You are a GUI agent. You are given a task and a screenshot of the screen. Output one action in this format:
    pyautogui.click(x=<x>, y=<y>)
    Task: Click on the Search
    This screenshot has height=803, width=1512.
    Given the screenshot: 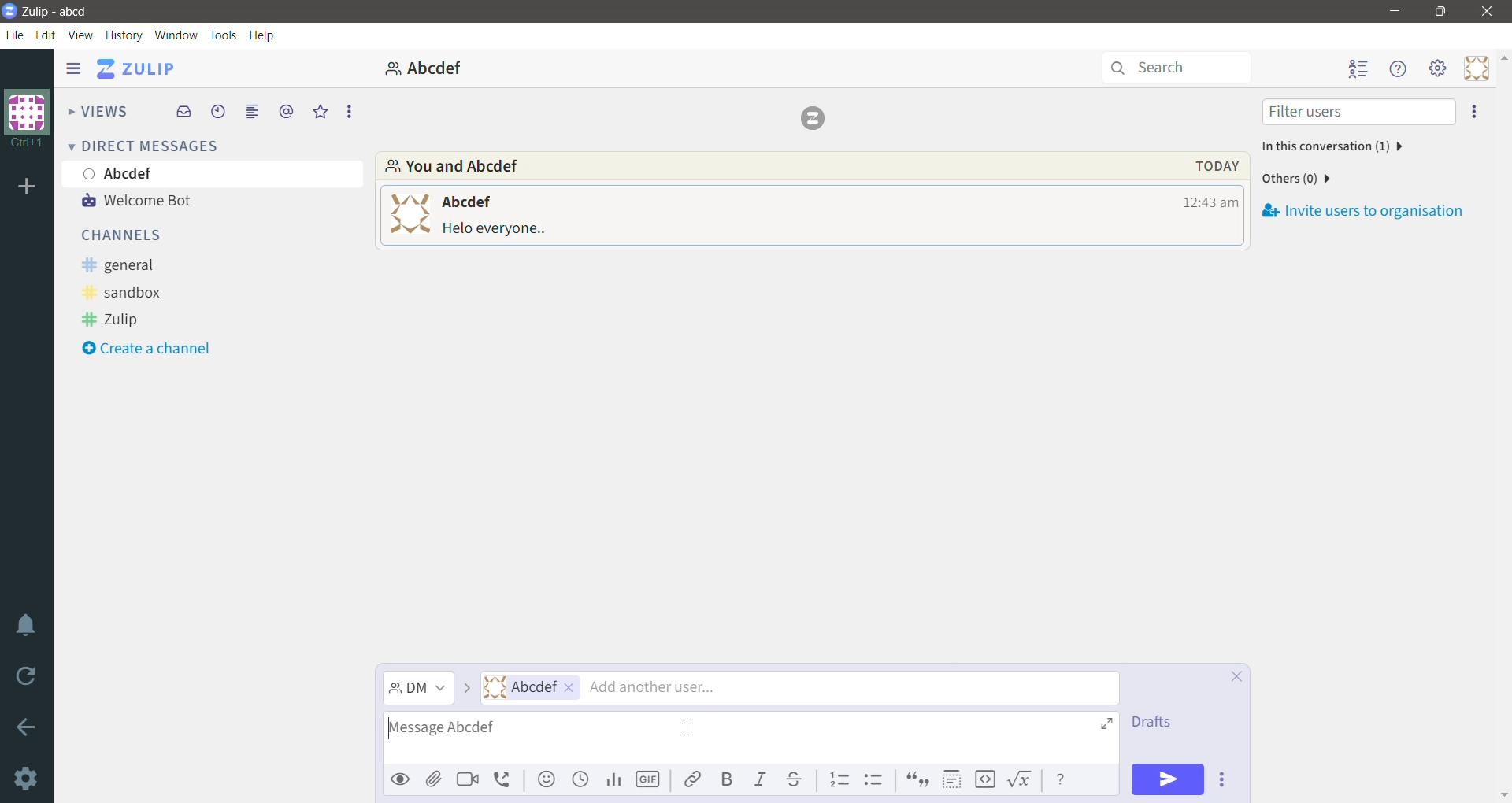 What is the action you would take?
    pyautogui.click(x=1176, y=68)
    